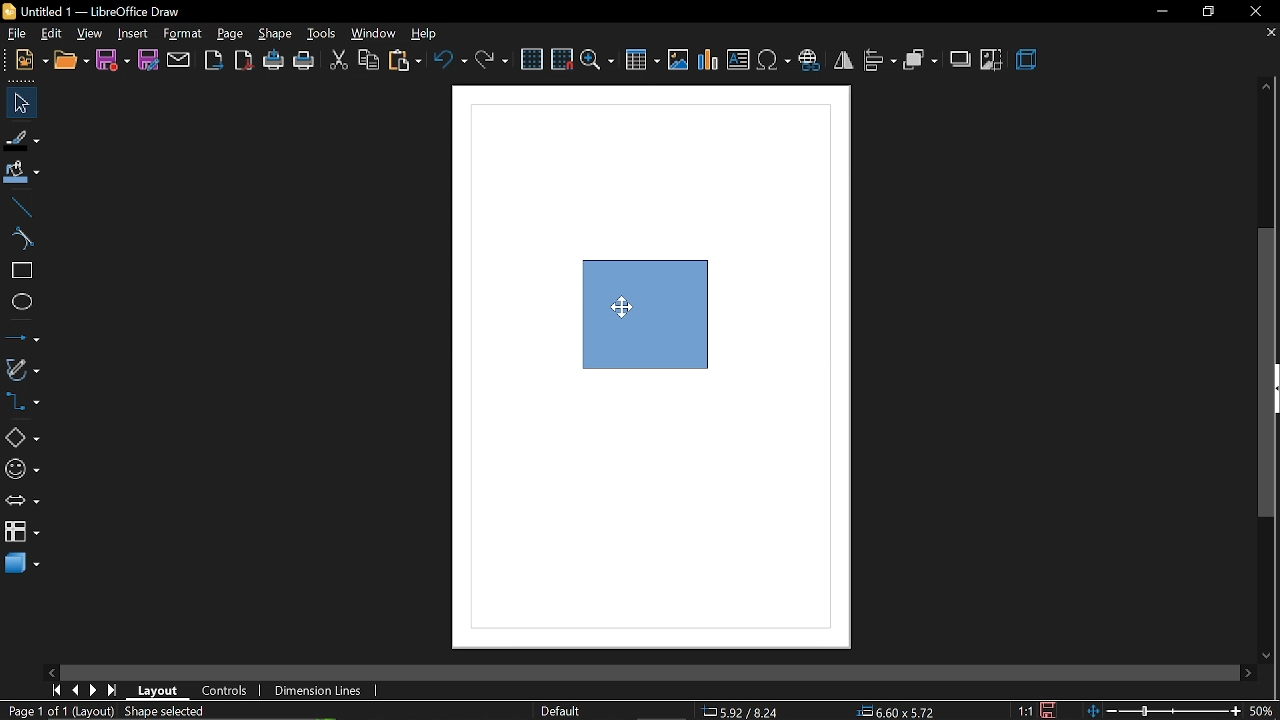 The image size is (1280, 720). Describe the element at coordinates (1267, 35) in the screenshot. I see `close tab` at that location.